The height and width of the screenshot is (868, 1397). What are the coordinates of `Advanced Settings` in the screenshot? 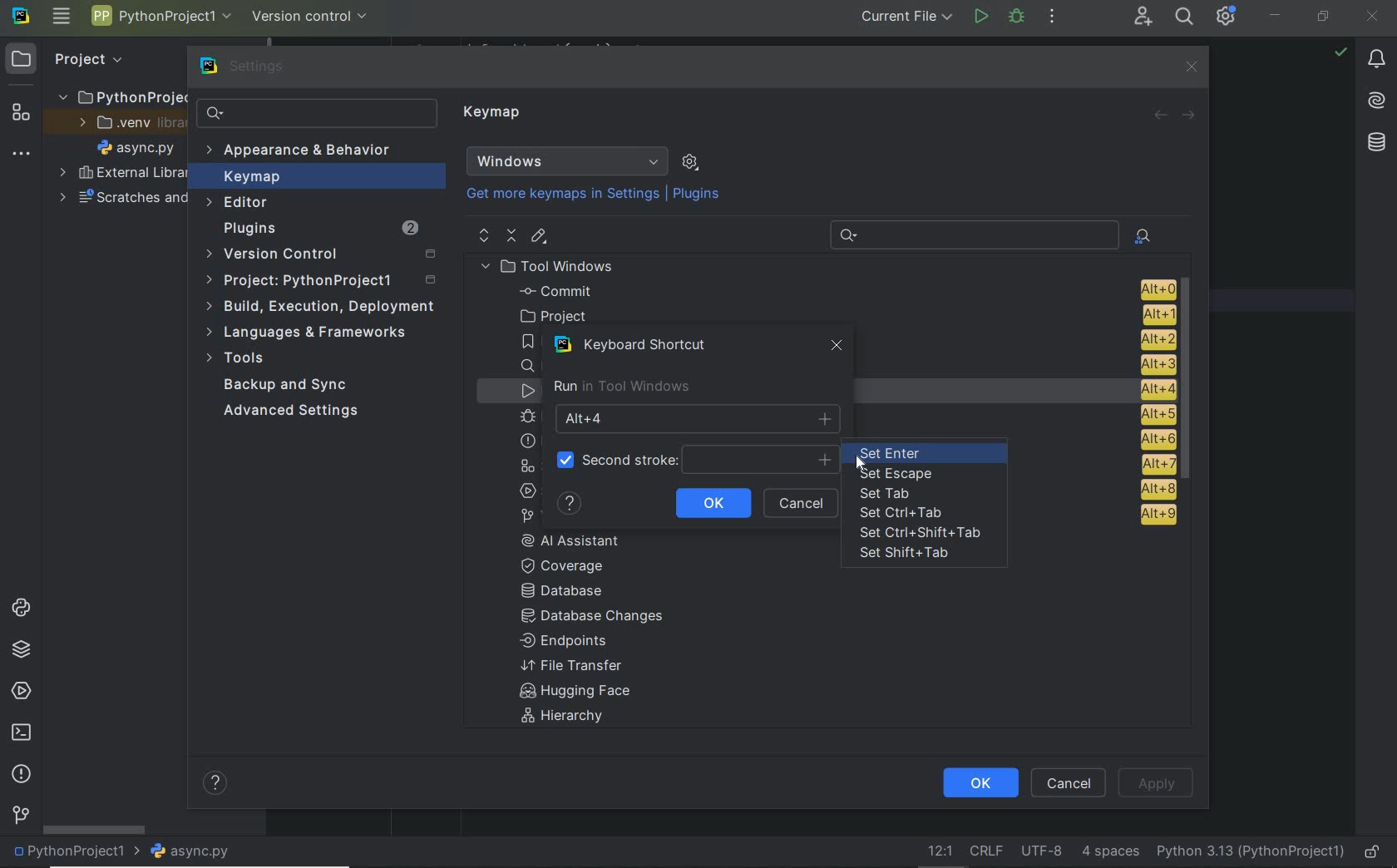 It's located at (294, 412).